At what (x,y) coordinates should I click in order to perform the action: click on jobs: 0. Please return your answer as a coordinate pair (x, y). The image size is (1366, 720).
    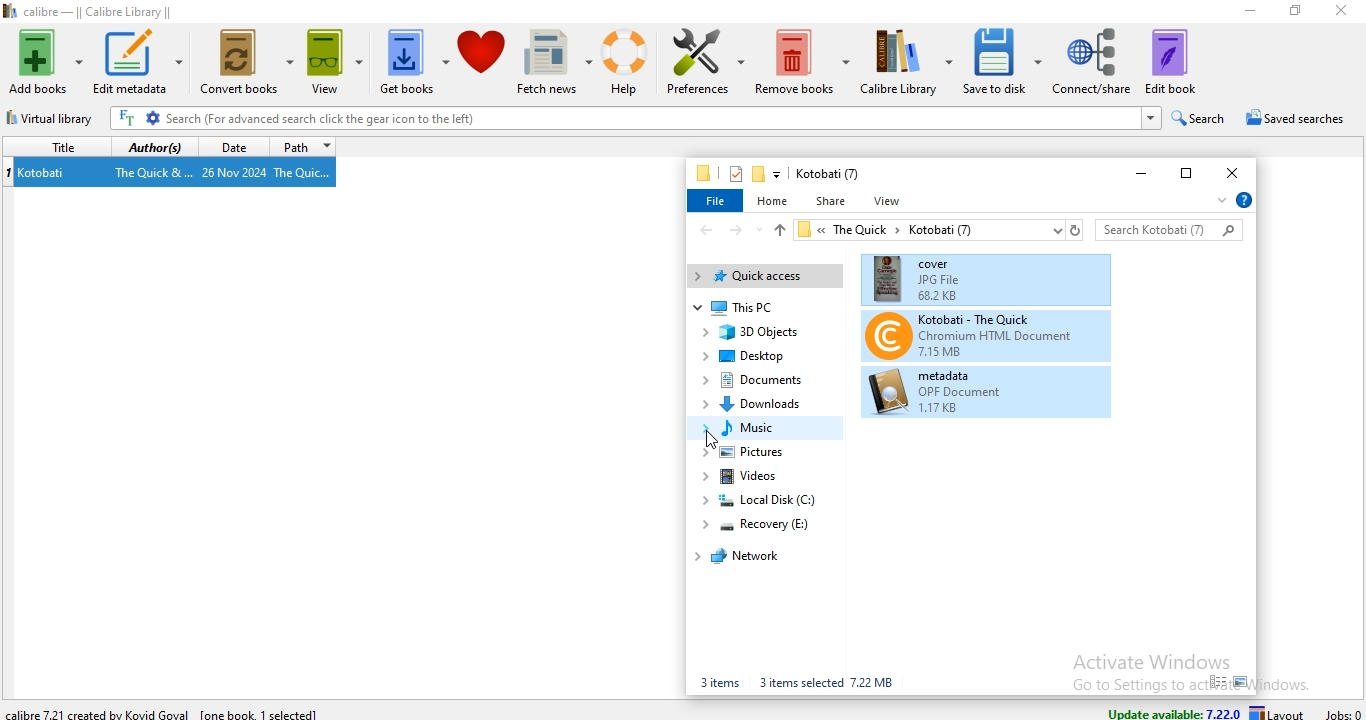
    Looking at the image, I should click on (1343, 711).